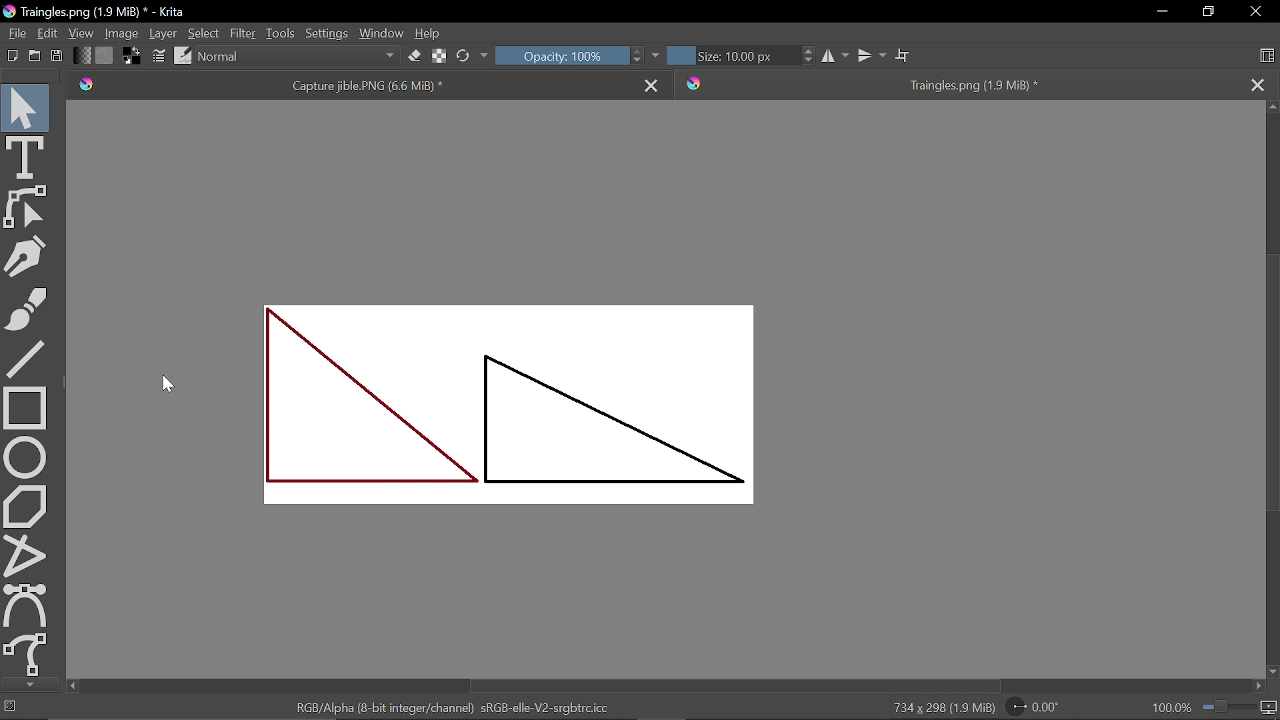 Image resolution: width=1280 pixels, height=720 pixels. Describe the element at coordinates (34, 56) in the screenshot. I see `Open document` at that location.